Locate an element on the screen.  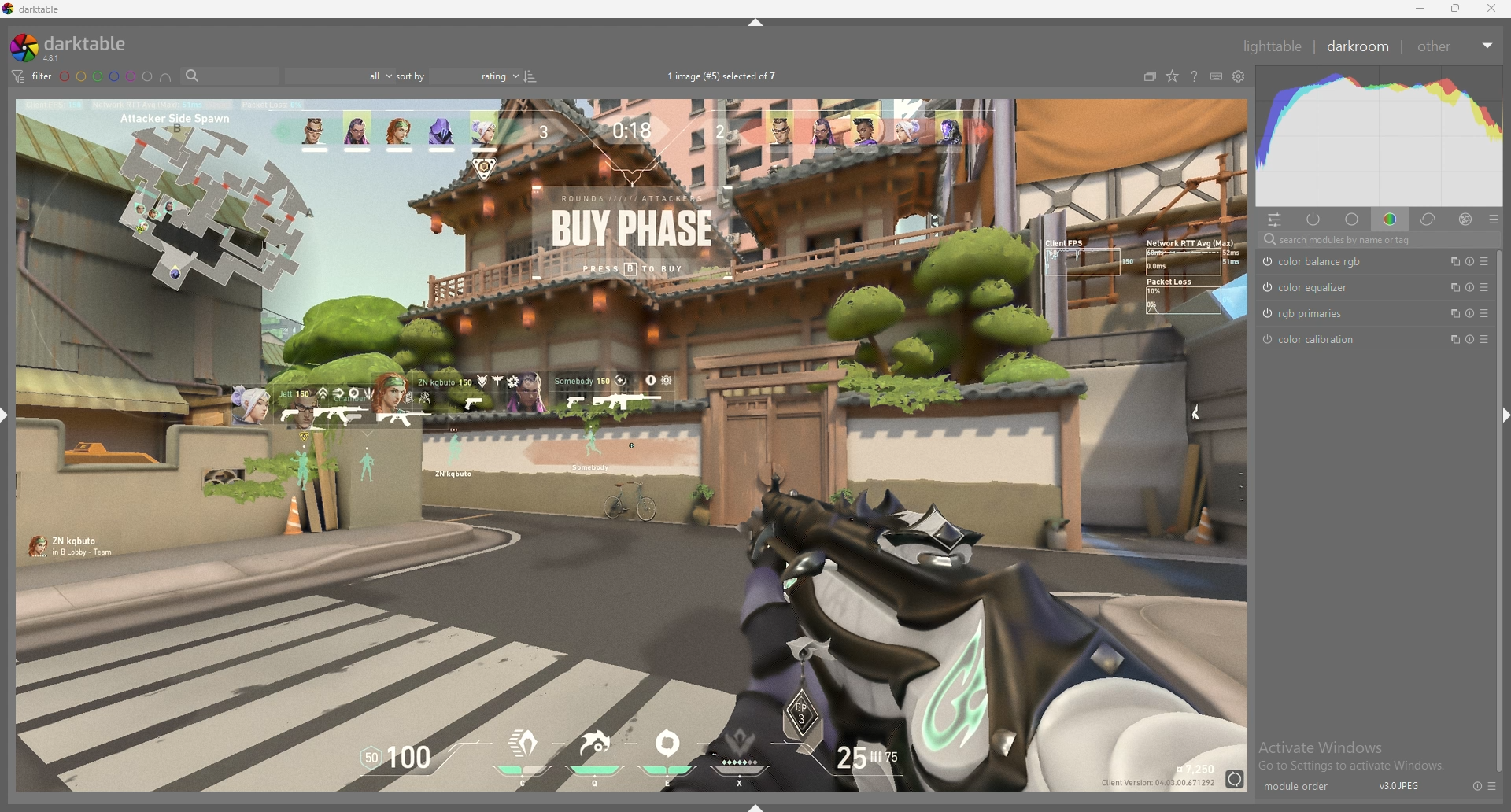
filter is located at coordinates (30, 76).